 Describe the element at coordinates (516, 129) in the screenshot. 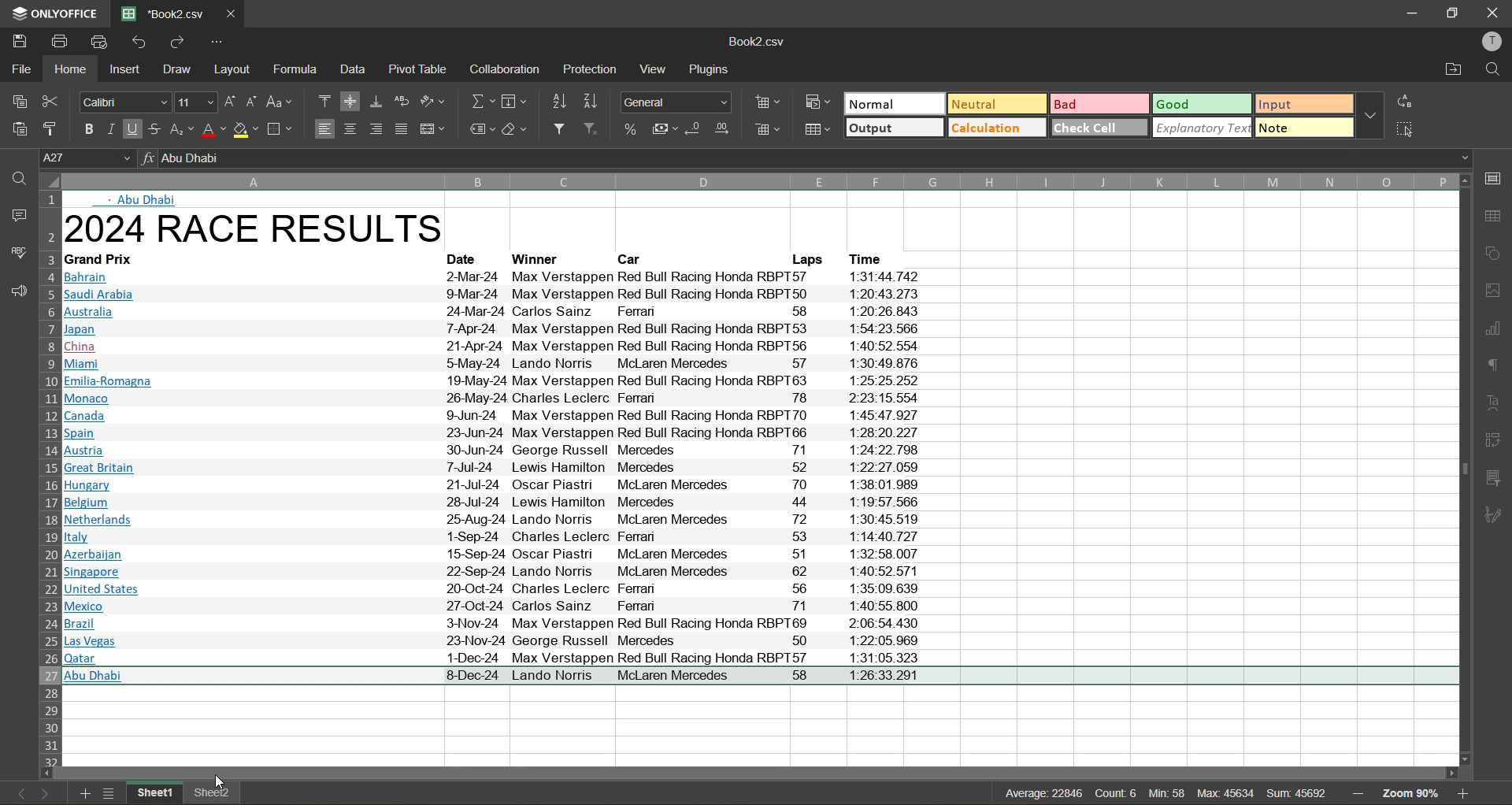

I see `clear` at that location.